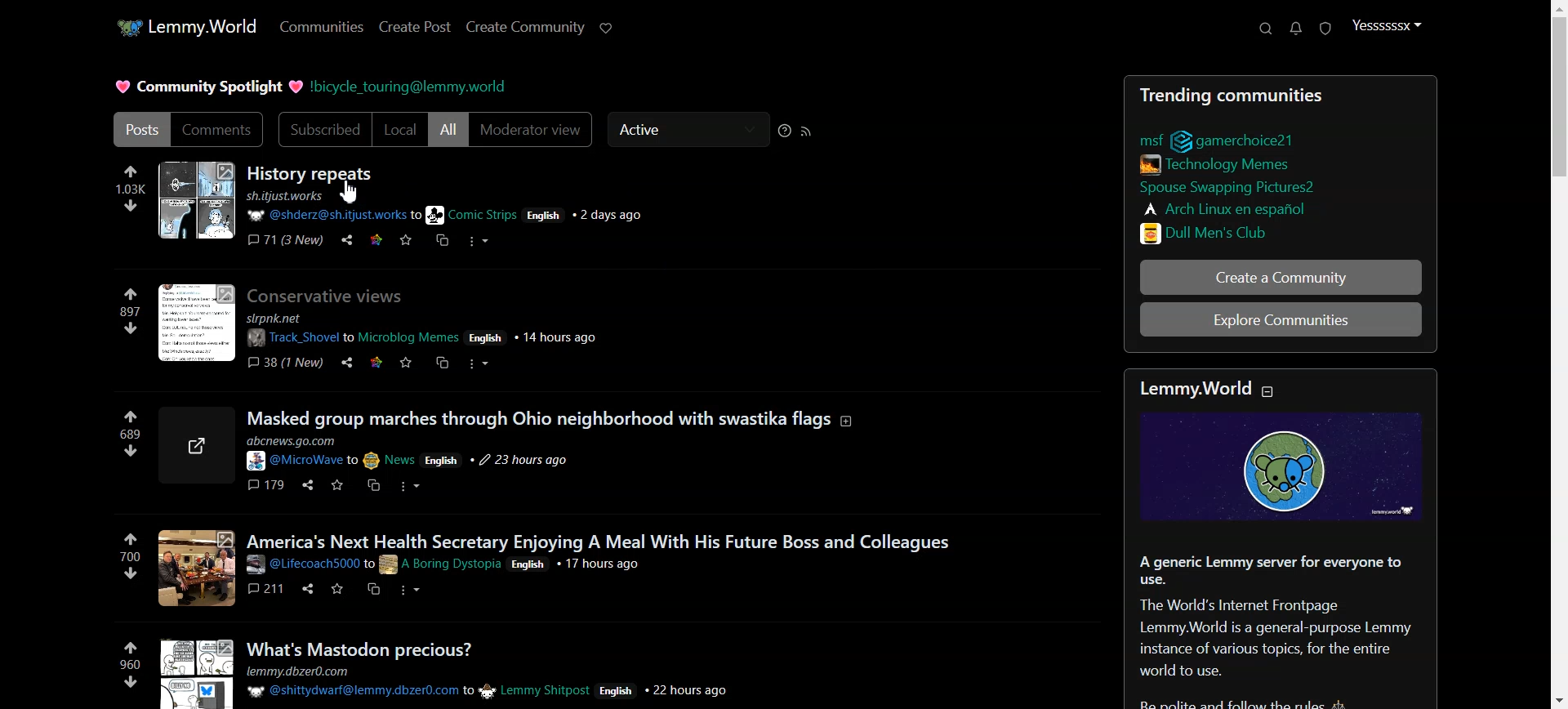 The width and height of the screenshot is (1568, 709). I want to click on Lemmy.World, so click(1203, 390).